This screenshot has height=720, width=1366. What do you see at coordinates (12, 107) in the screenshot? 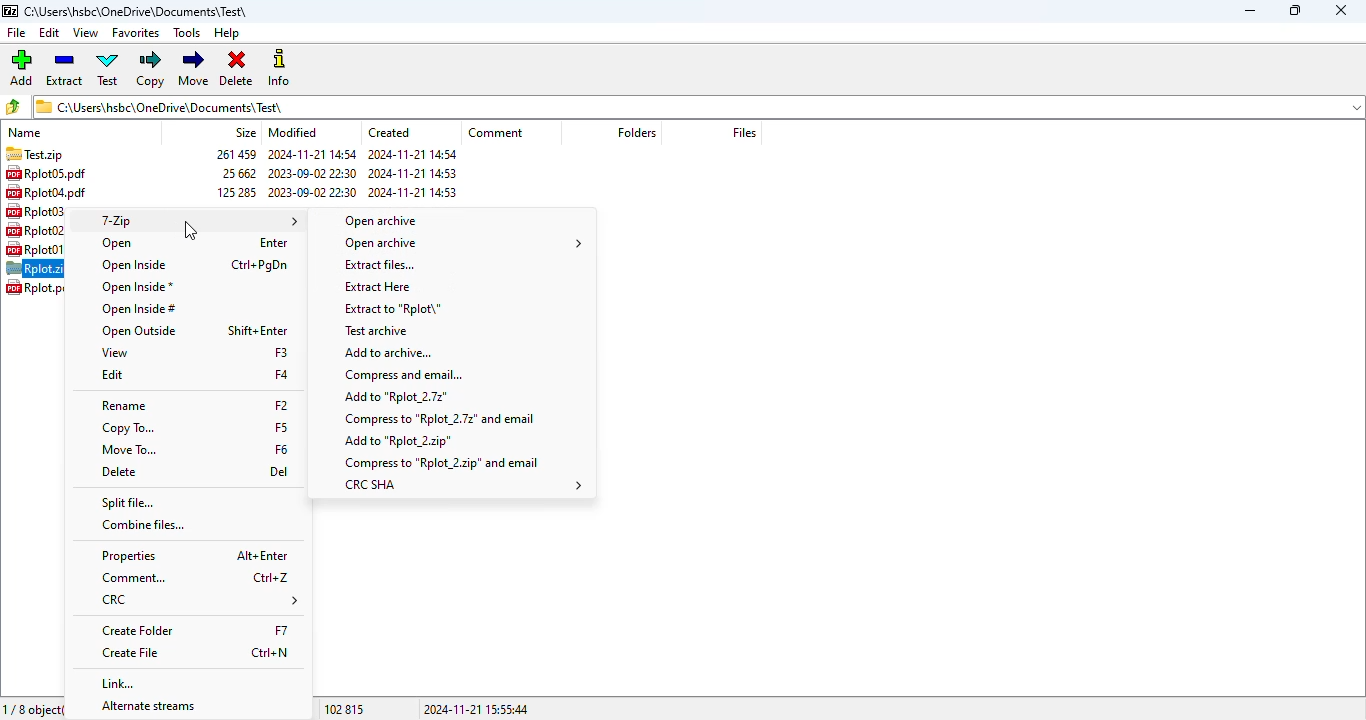
I see `browse files` at bounding box center [12, 107].